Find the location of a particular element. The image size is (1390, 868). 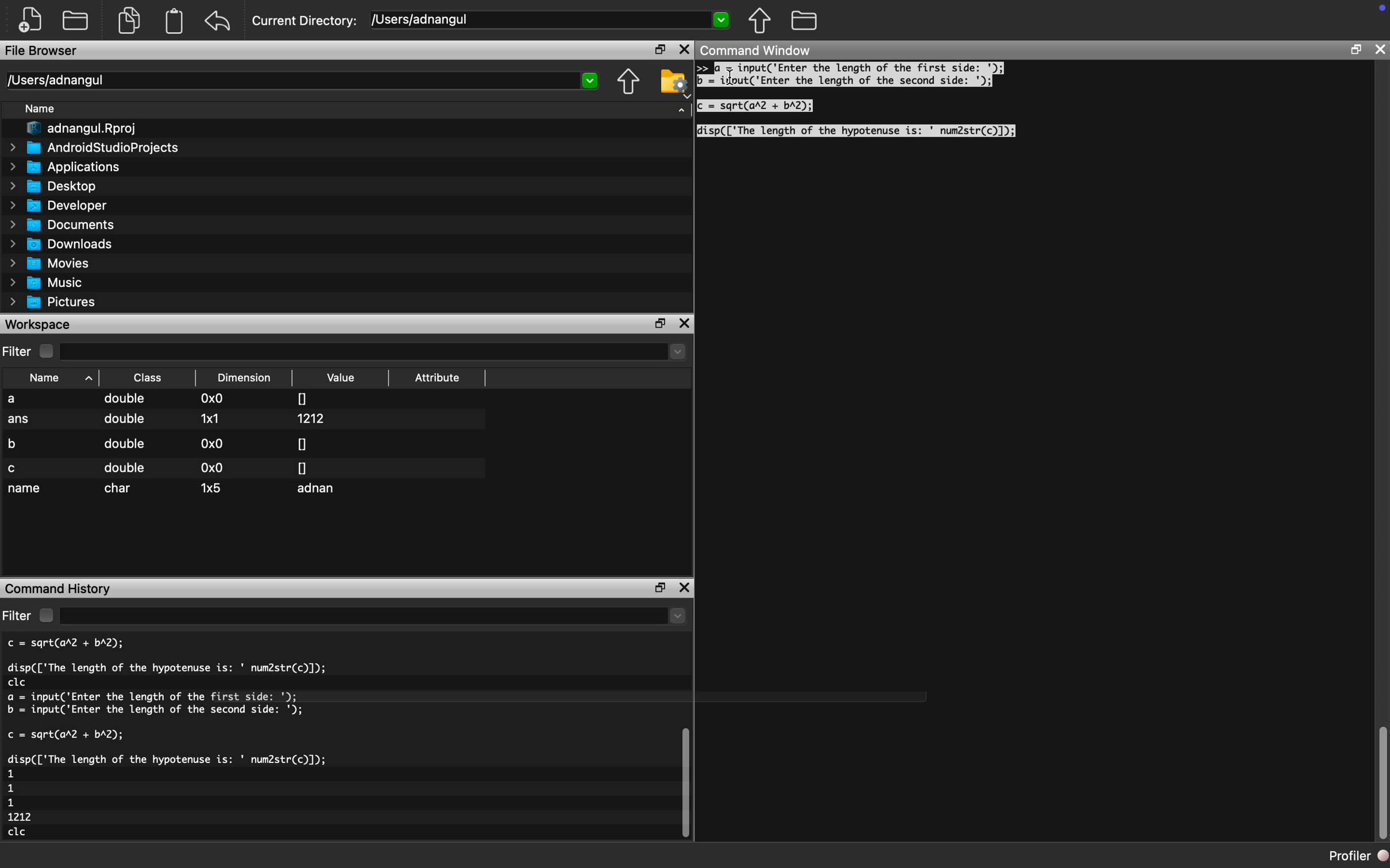

name is located at coordinates (26, 490).